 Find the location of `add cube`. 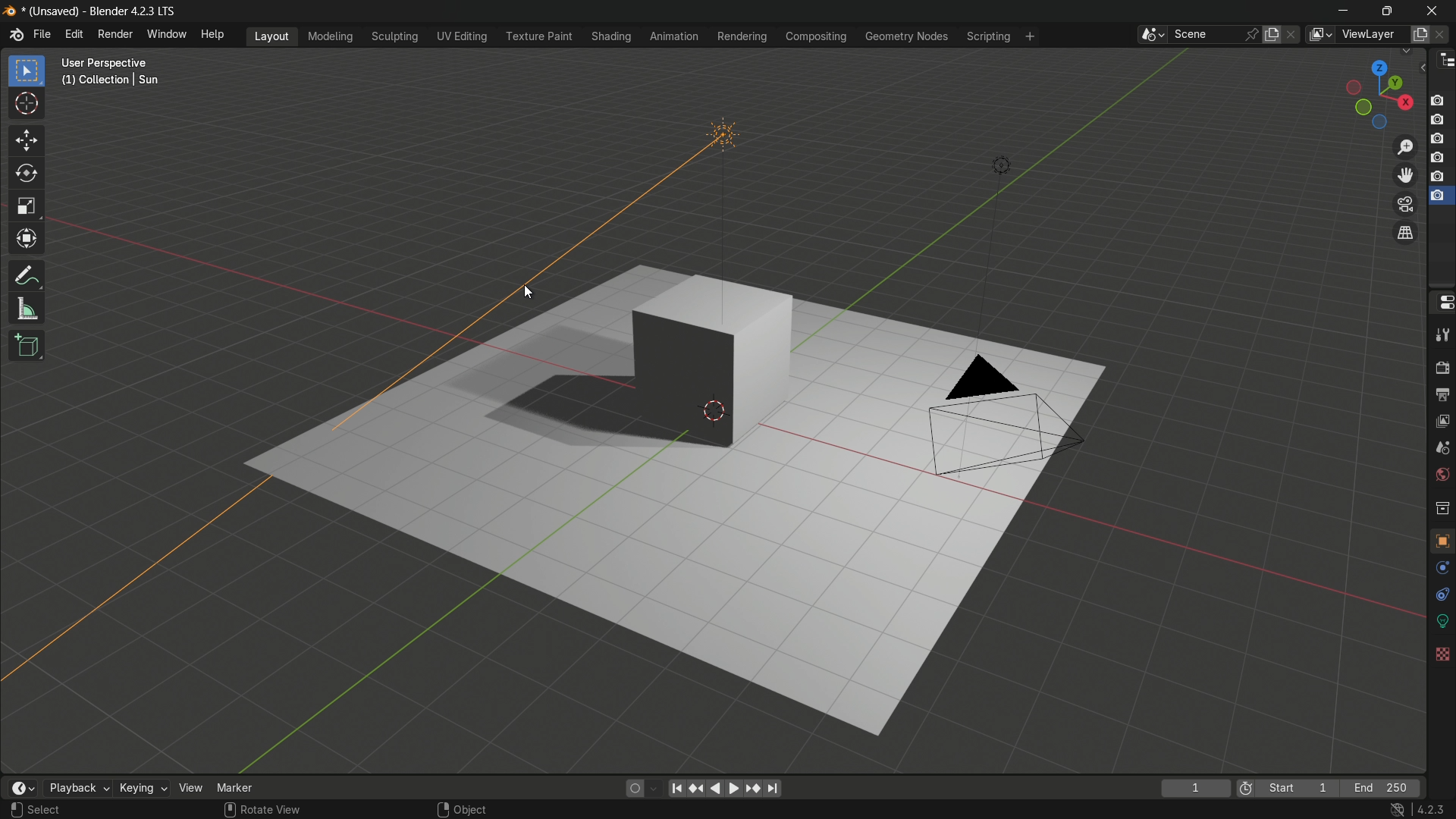

add cube is located at coordinates (29, 346).